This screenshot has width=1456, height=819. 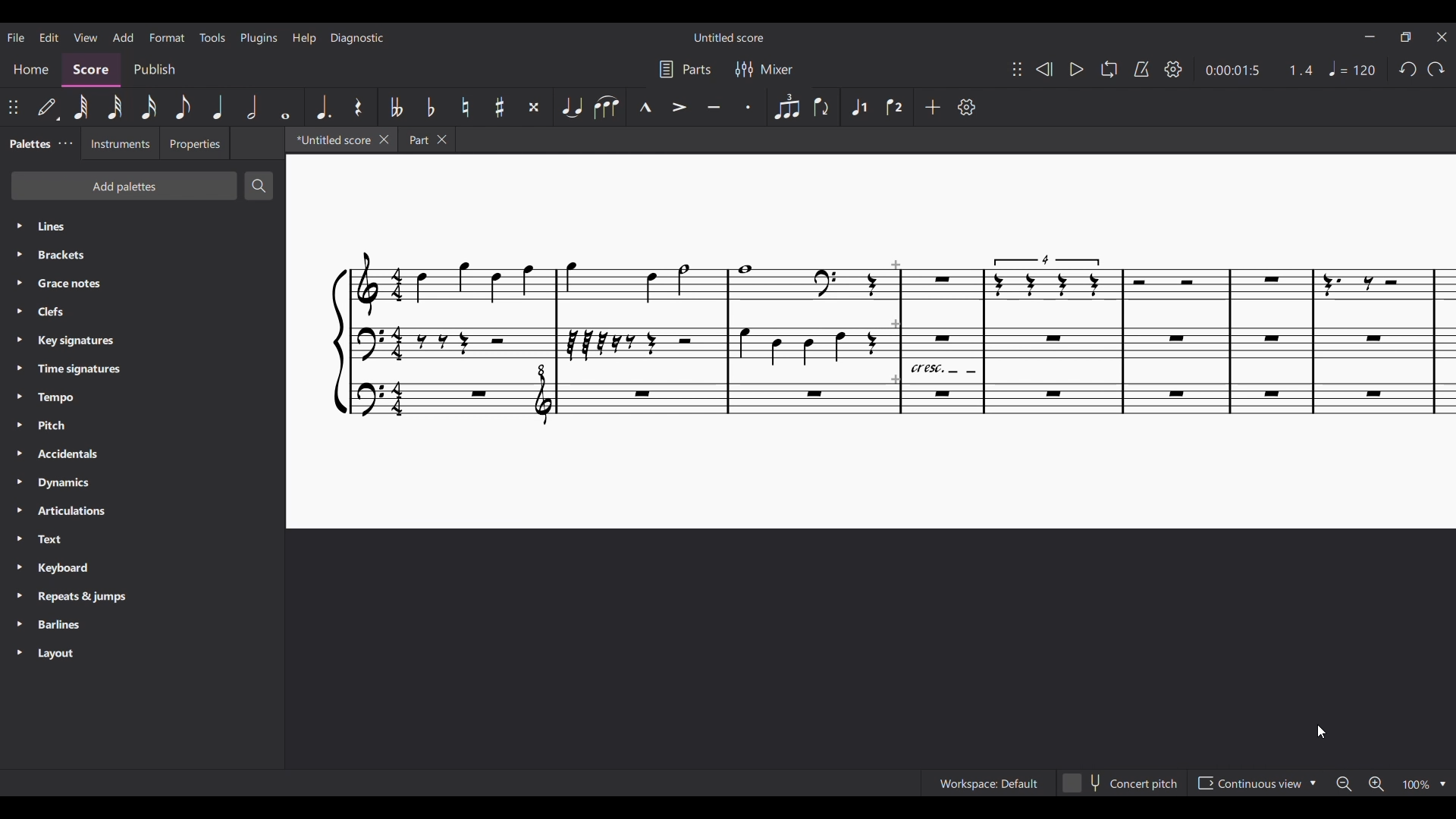 What do you see at coordinates (1351, 69) in the screenshot?
I see `Tempo` at bounding box center [1351, 69].